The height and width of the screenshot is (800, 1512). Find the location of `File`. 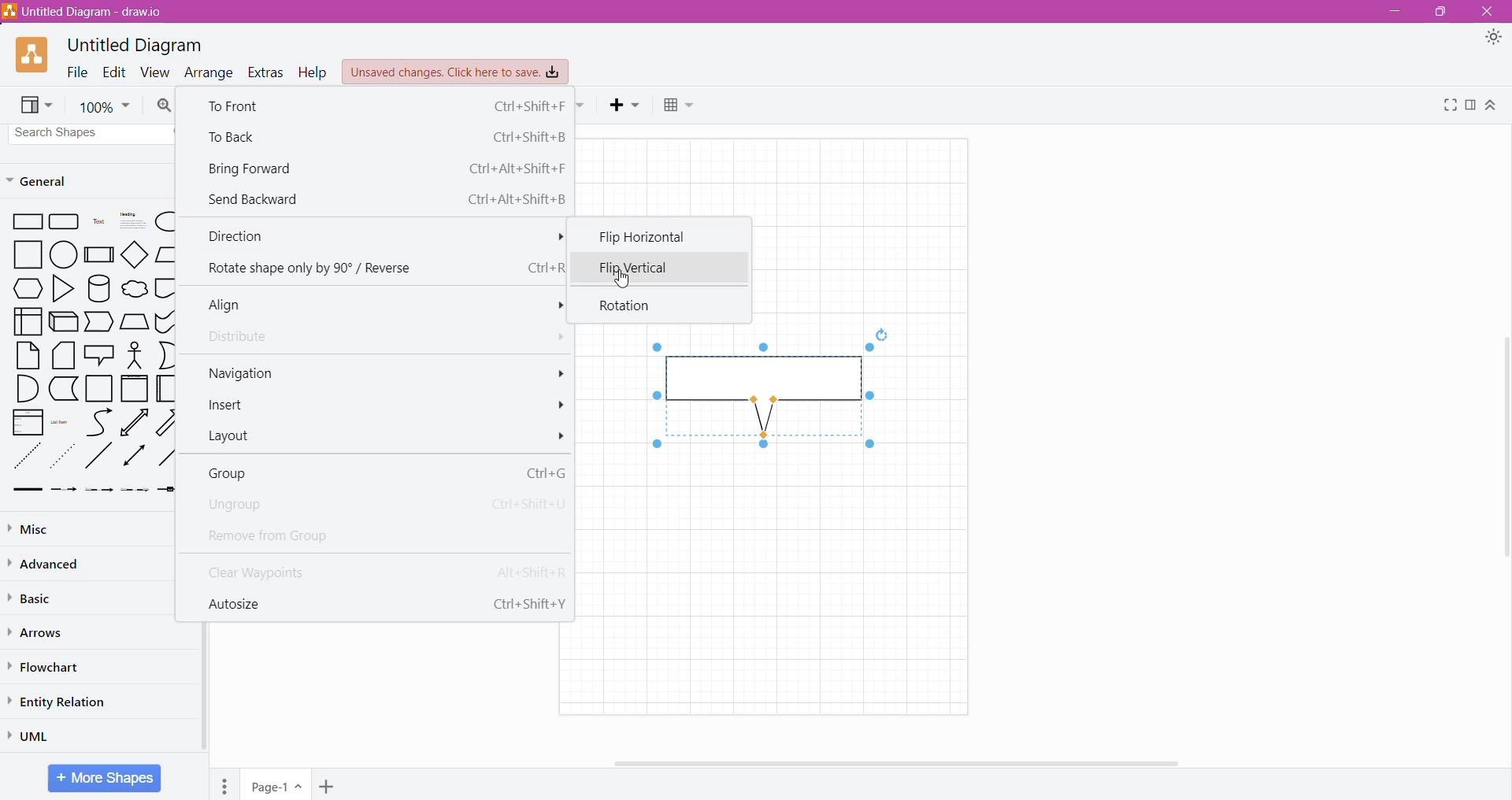

File is located at coordinates (77, 72).